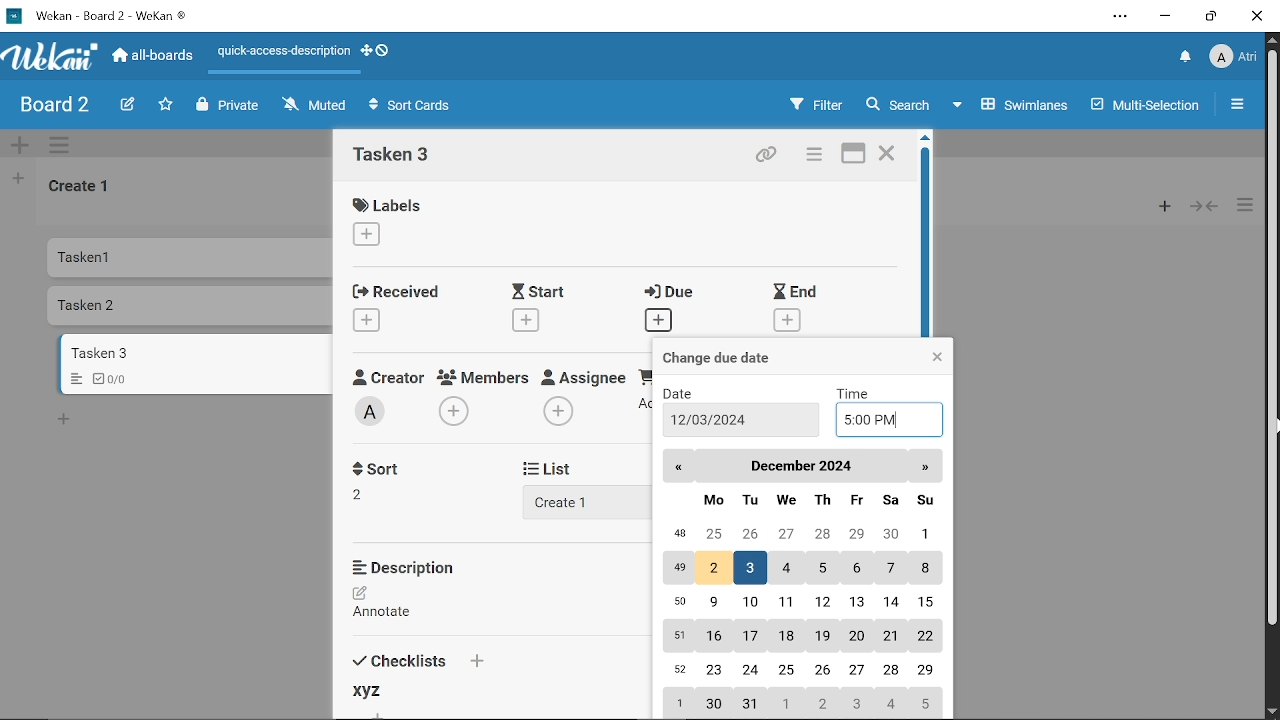  What do you see at coordinates (925, 467) in the screenshot?
I see `Next month` at bounding box center [925, 467].